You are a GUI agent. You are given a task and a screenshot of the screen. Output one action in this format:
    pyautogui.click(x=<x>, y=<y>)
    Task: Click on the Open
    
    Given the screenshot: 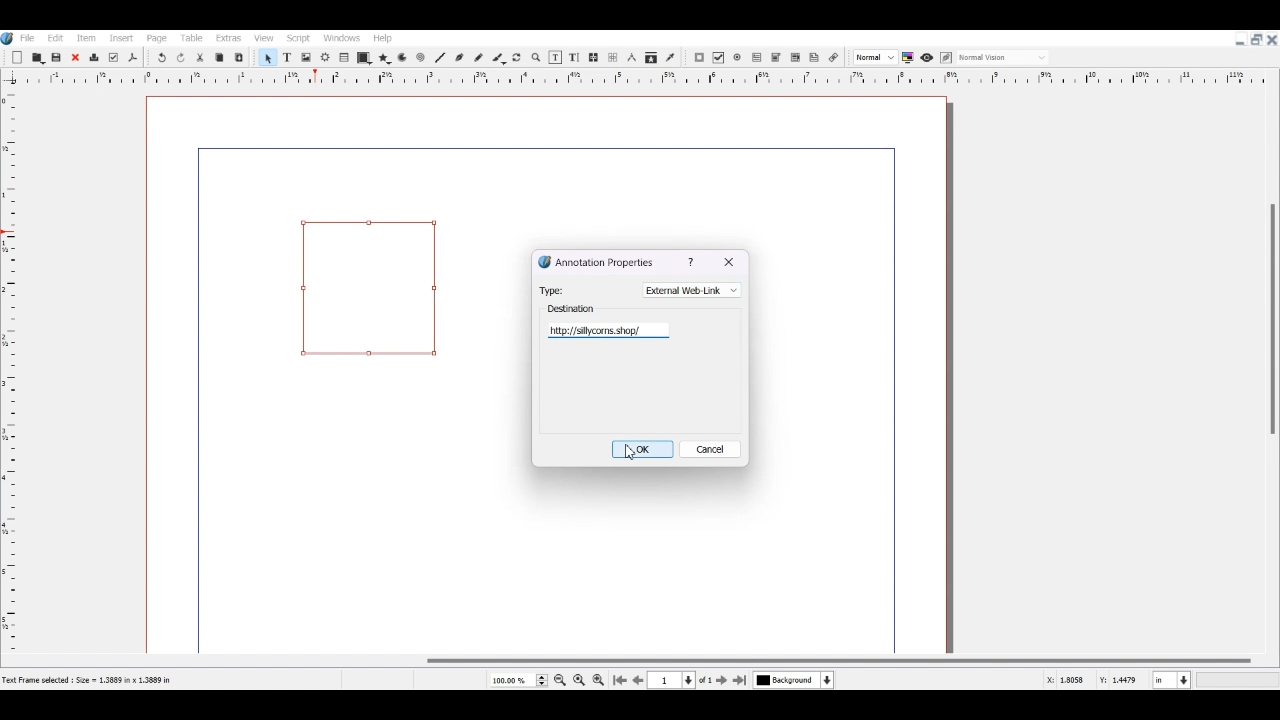 What is the action you would take?
    pyautogui.click(x=39, y=57)
    